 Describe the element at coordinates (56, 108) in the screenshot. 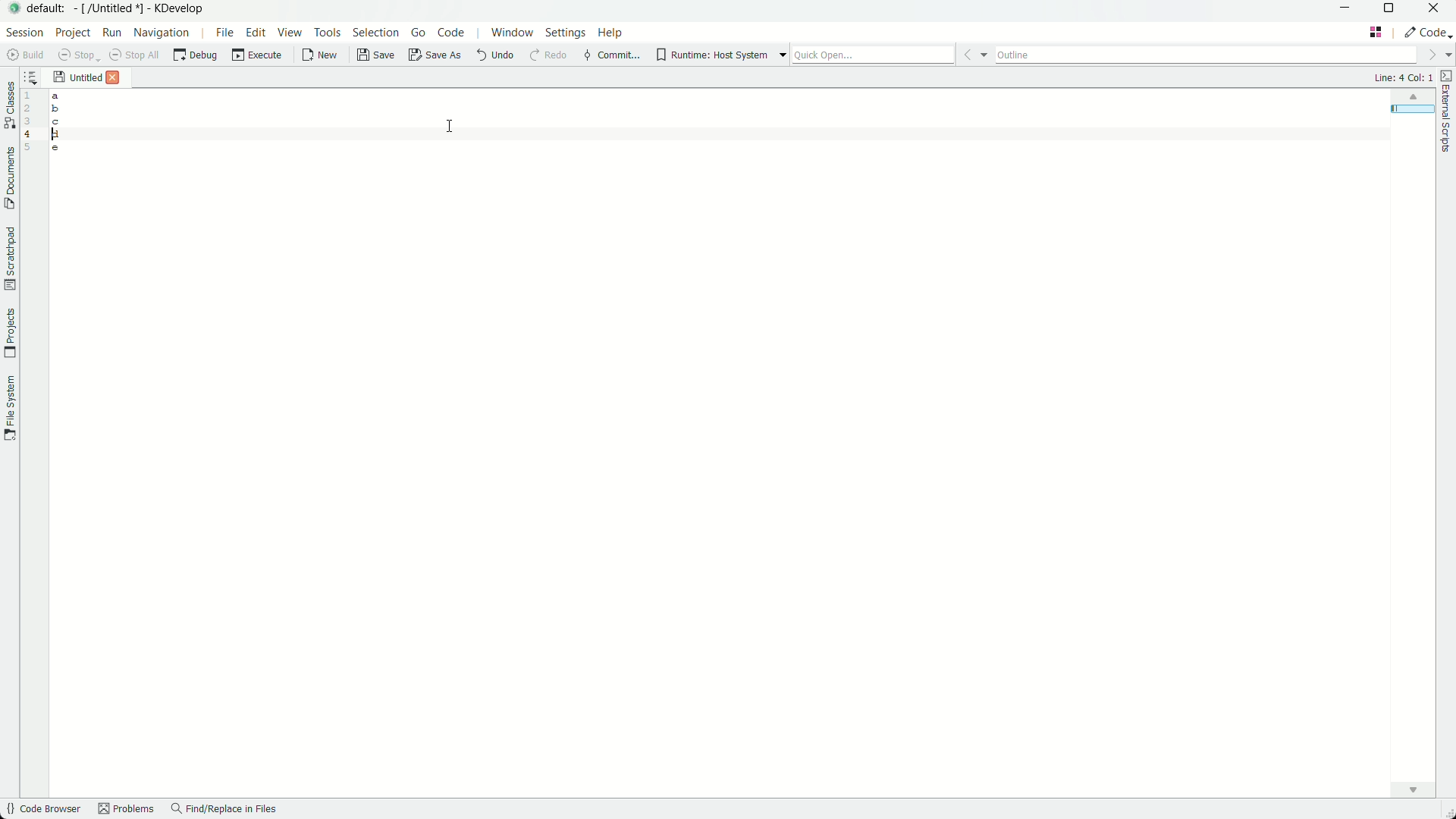

I see `b` at that location.